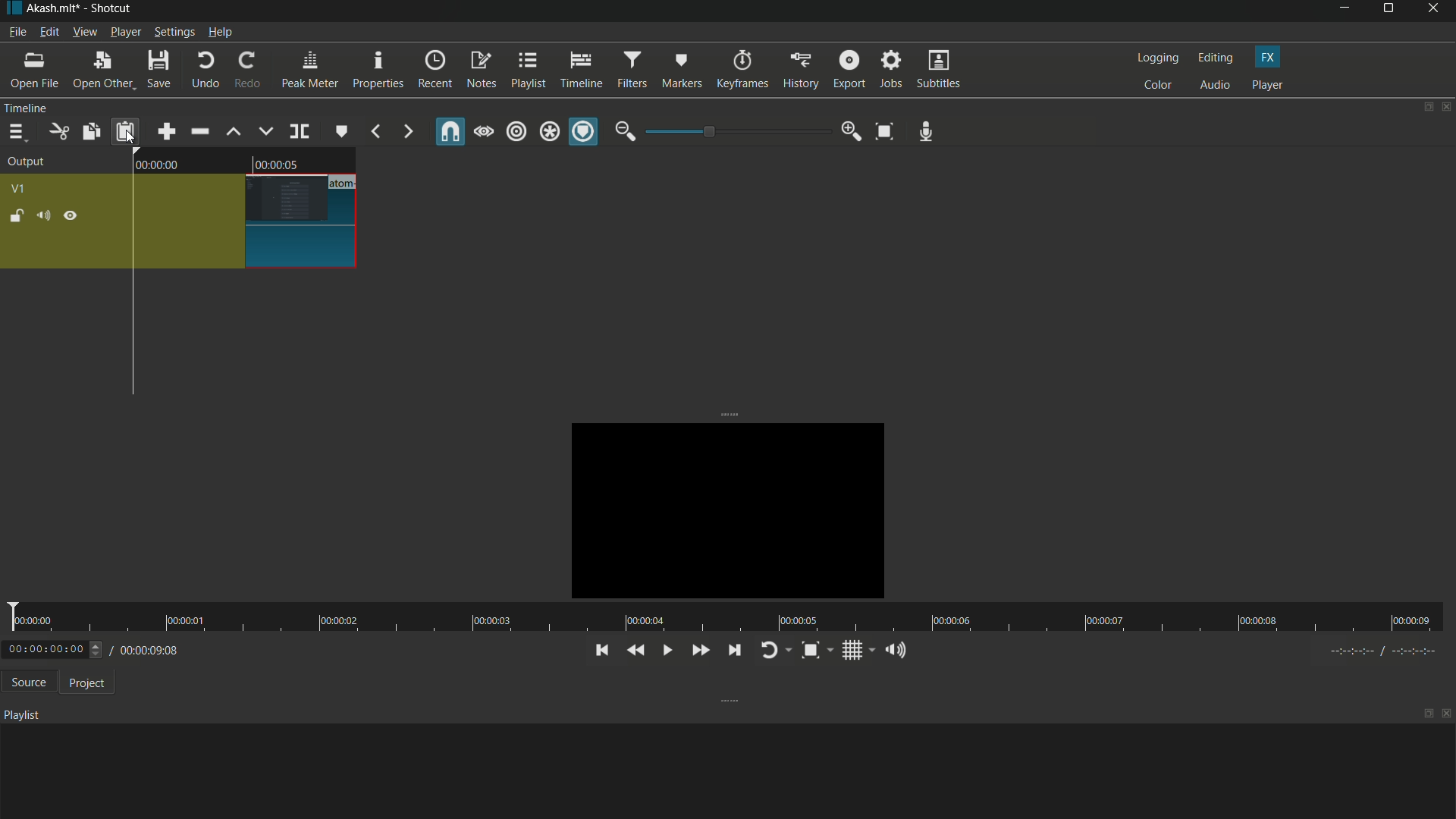 This screenshot has height=819, width=1456. Describe the element at coordinates (517, 133) in the screenshot. I see `ripple` at that location.